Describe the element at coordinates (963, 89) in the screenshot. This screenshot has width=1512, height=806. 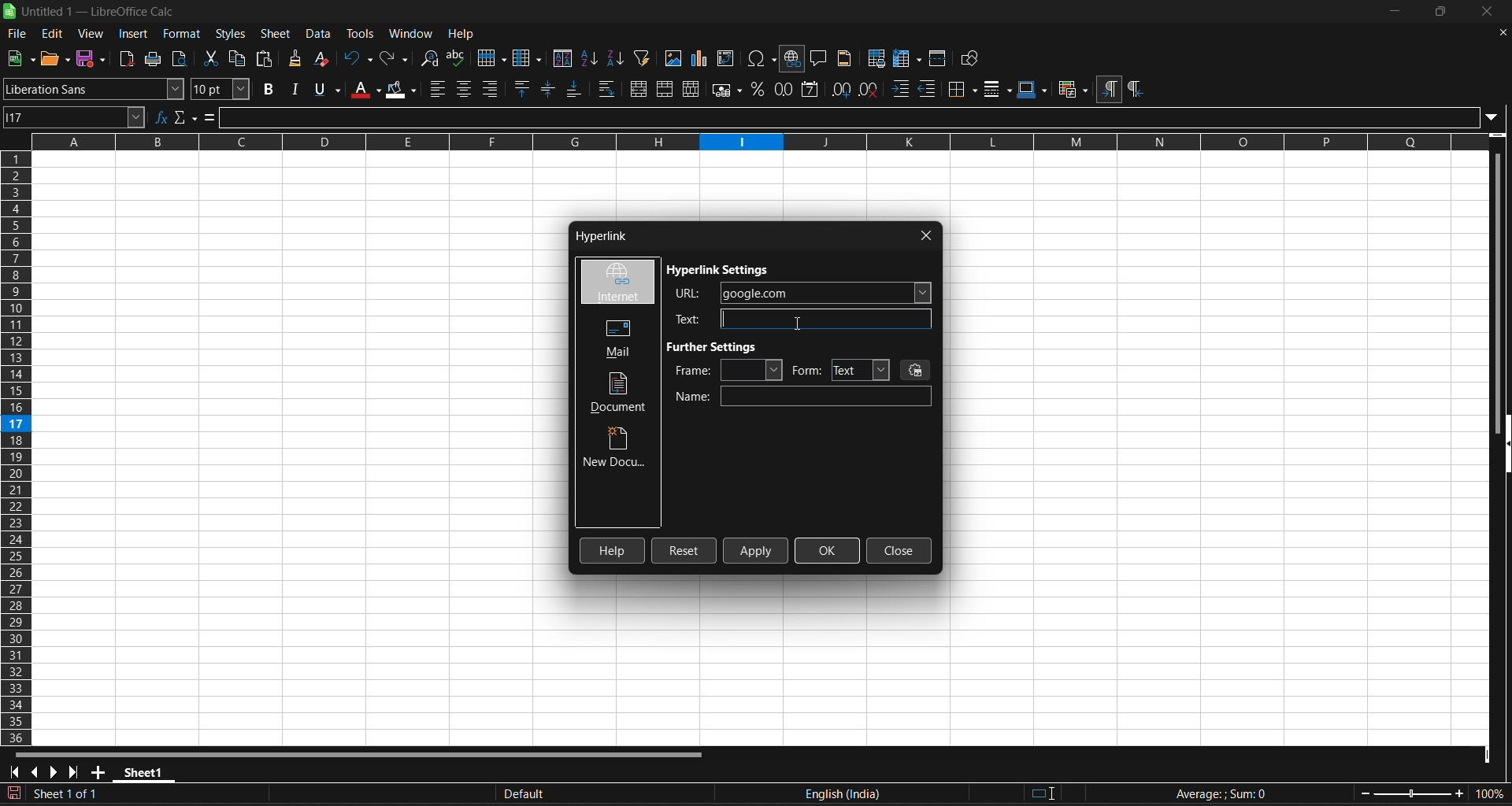
I see `border` at that location.